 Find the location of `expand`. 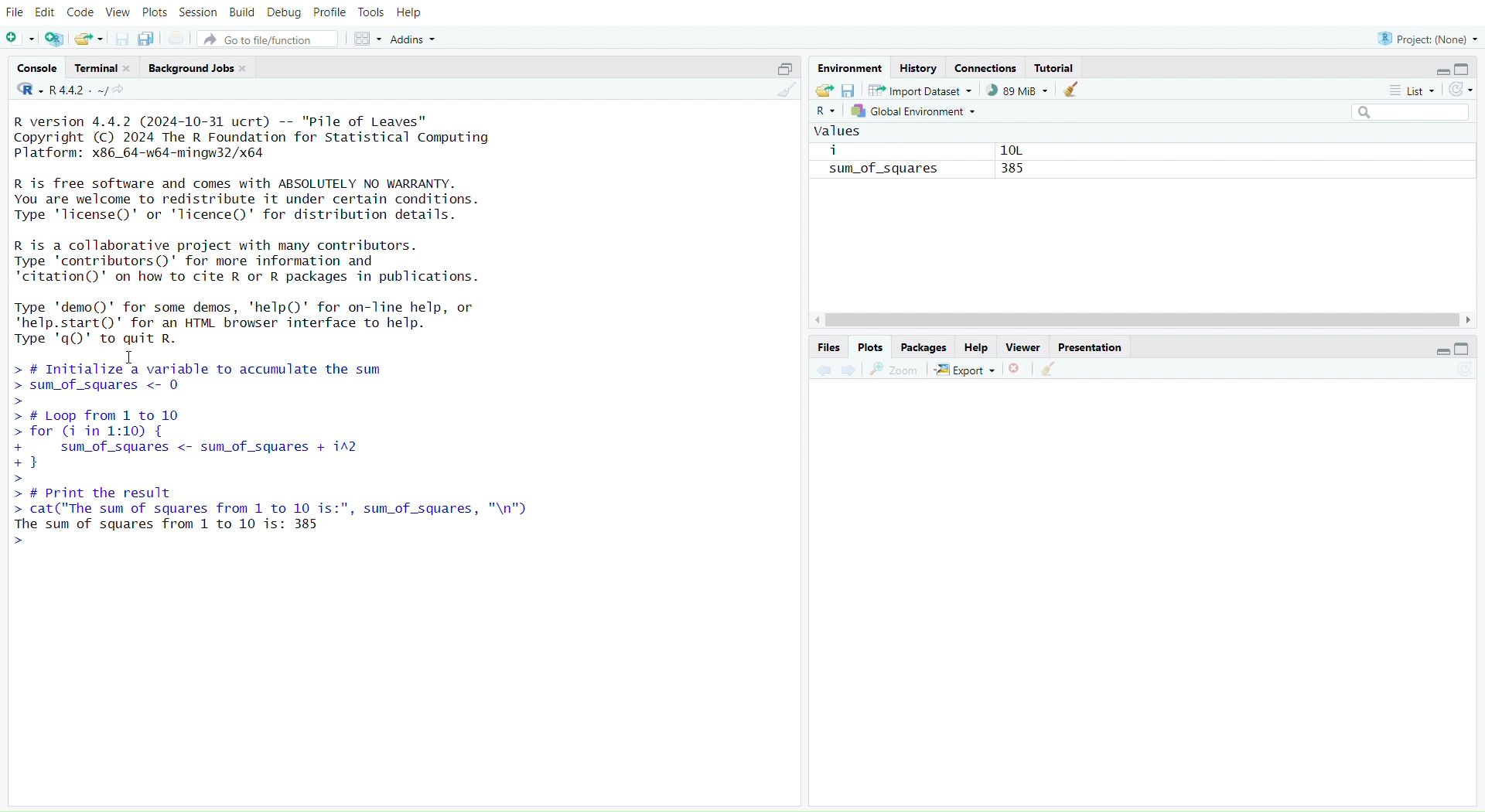

expand is located at coordinates (1439, 70).